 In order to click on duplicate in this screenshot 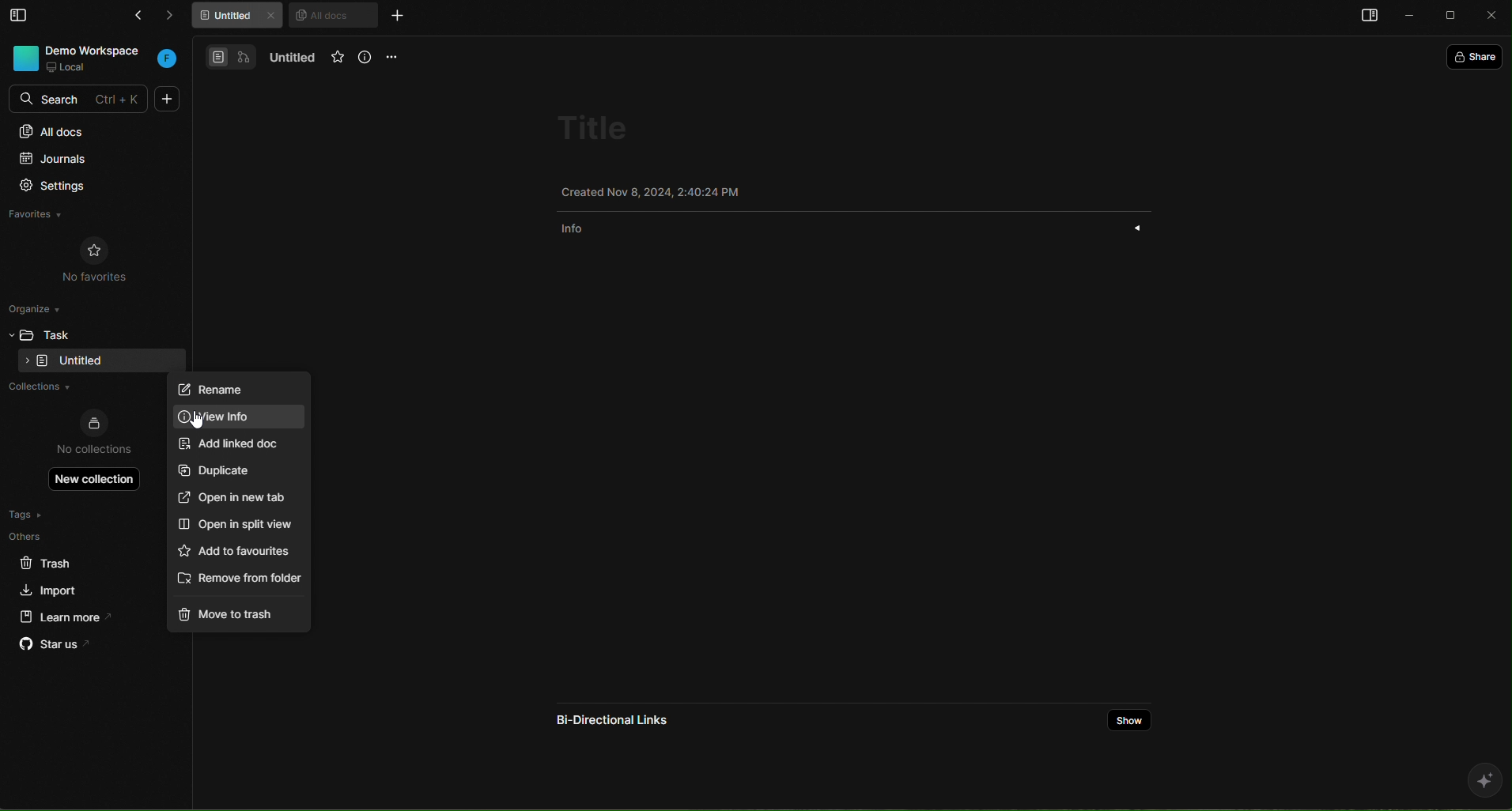, I will do `click(225, 470)`.